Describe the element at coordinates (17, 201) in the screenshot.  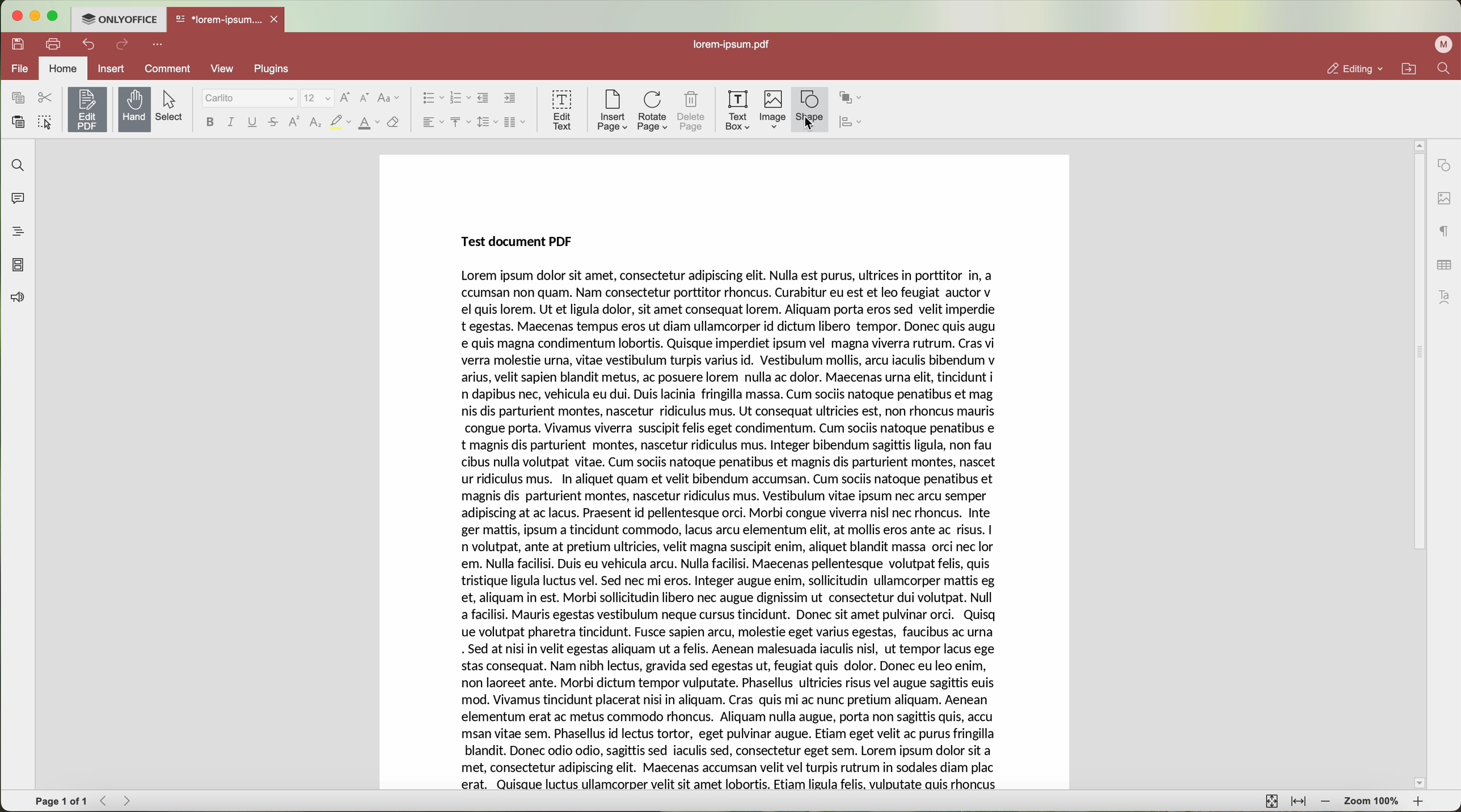
I see `comments` at that location.